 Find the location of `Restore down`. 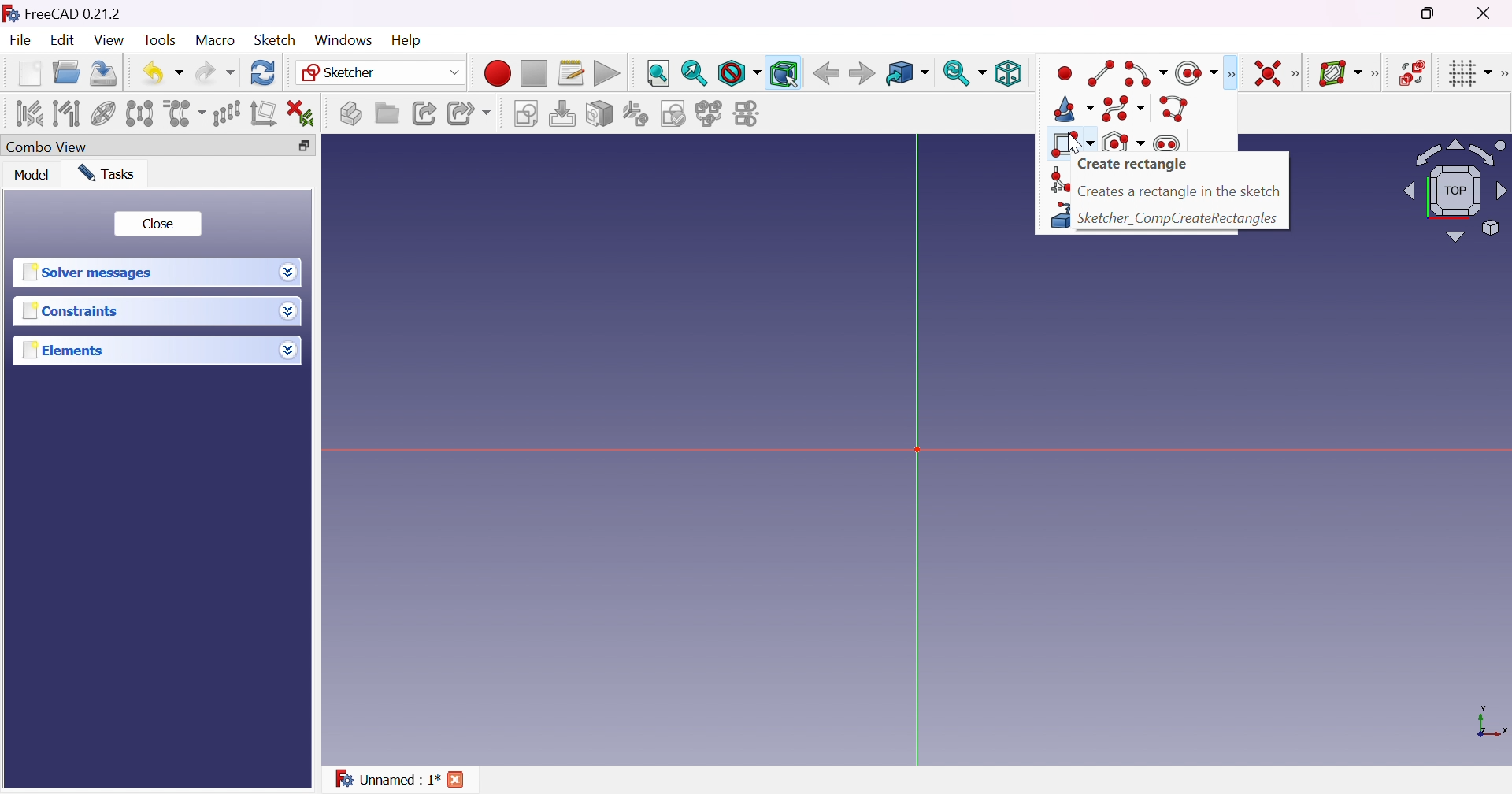

Restore down is located at coordinates (304, 146).